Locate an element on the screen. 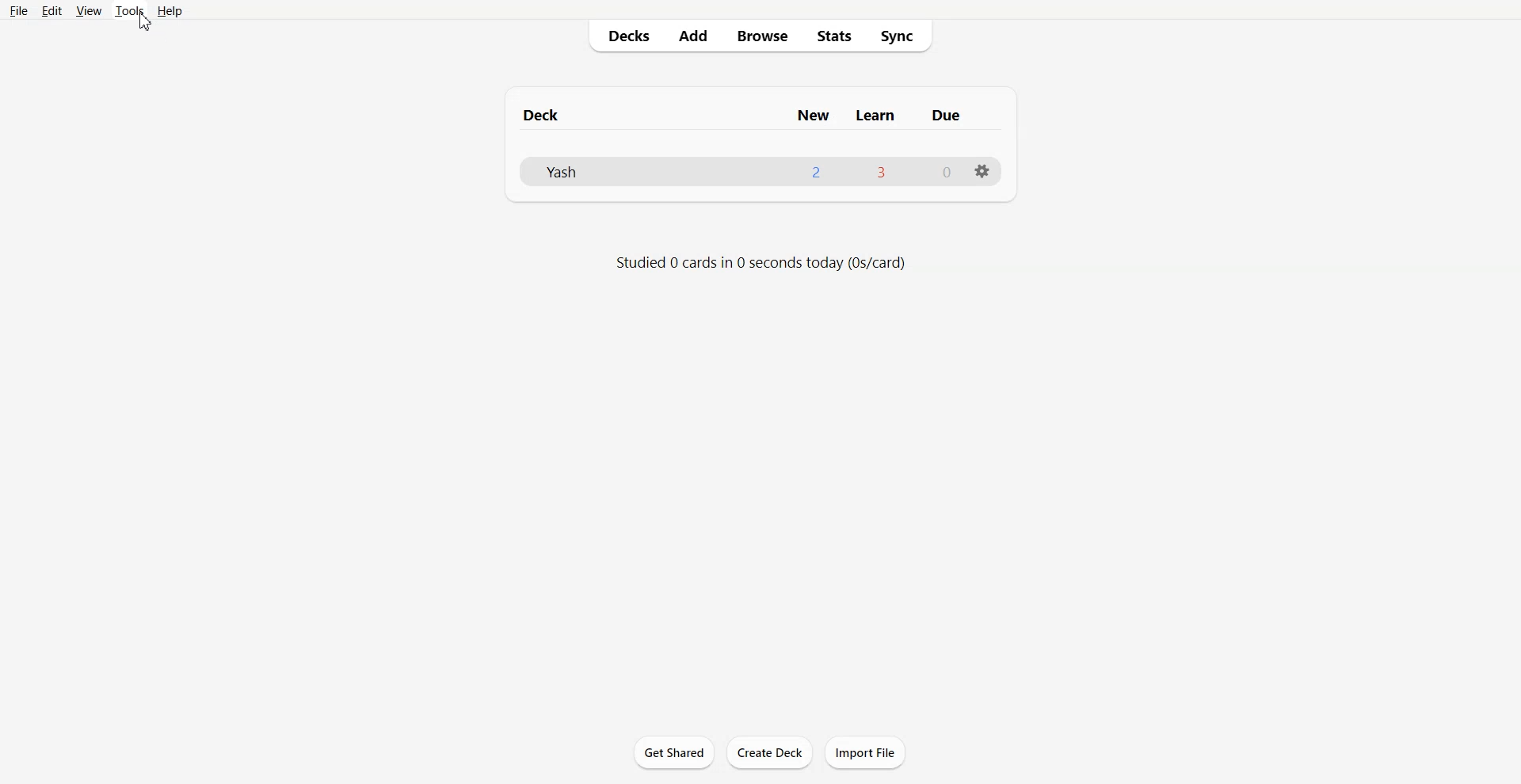  Sync is located at coordinates (902, 36).